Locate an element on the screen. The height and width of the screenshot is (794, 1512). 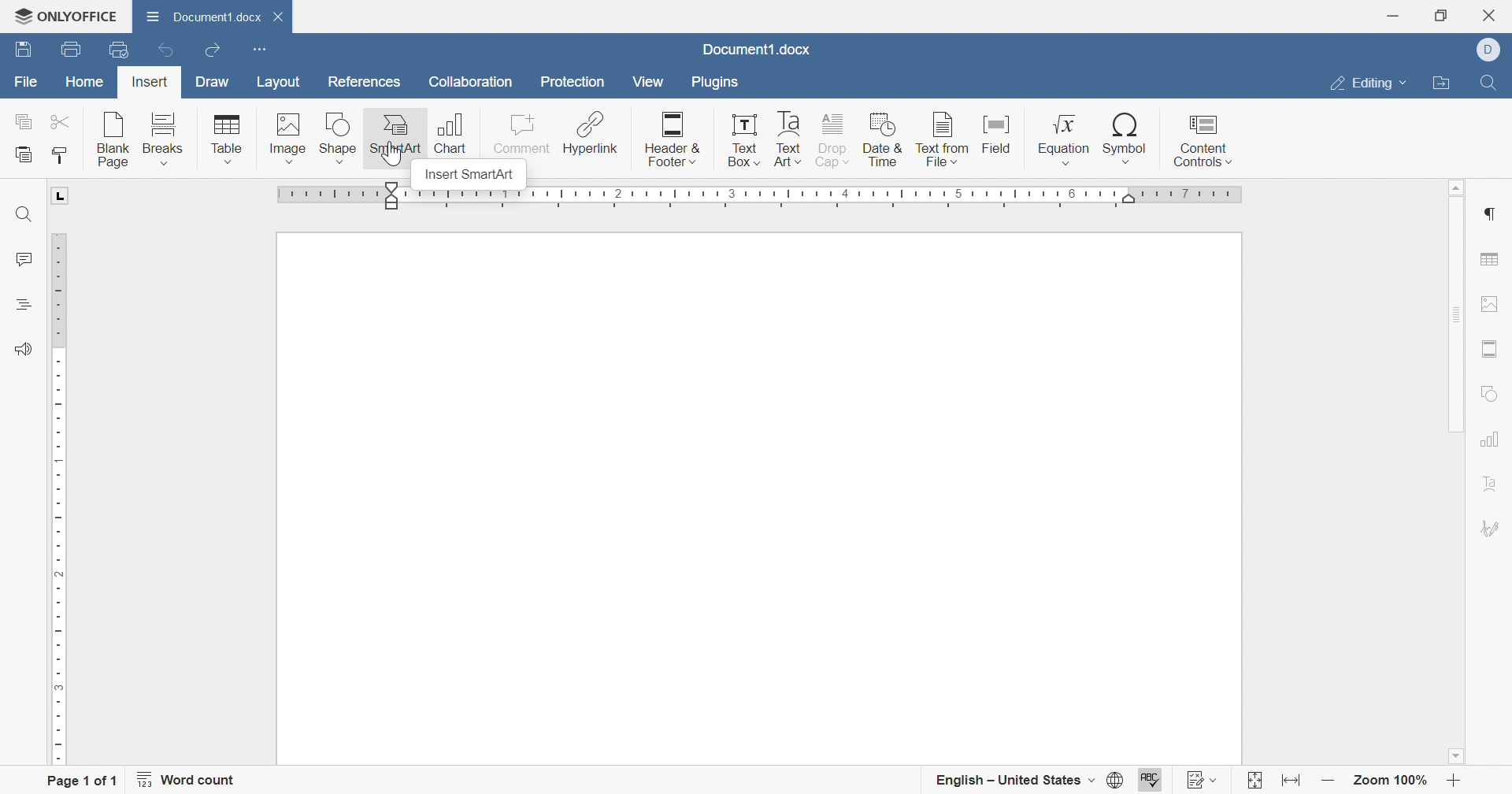
Table settings is located at coordinates (1492, 258).